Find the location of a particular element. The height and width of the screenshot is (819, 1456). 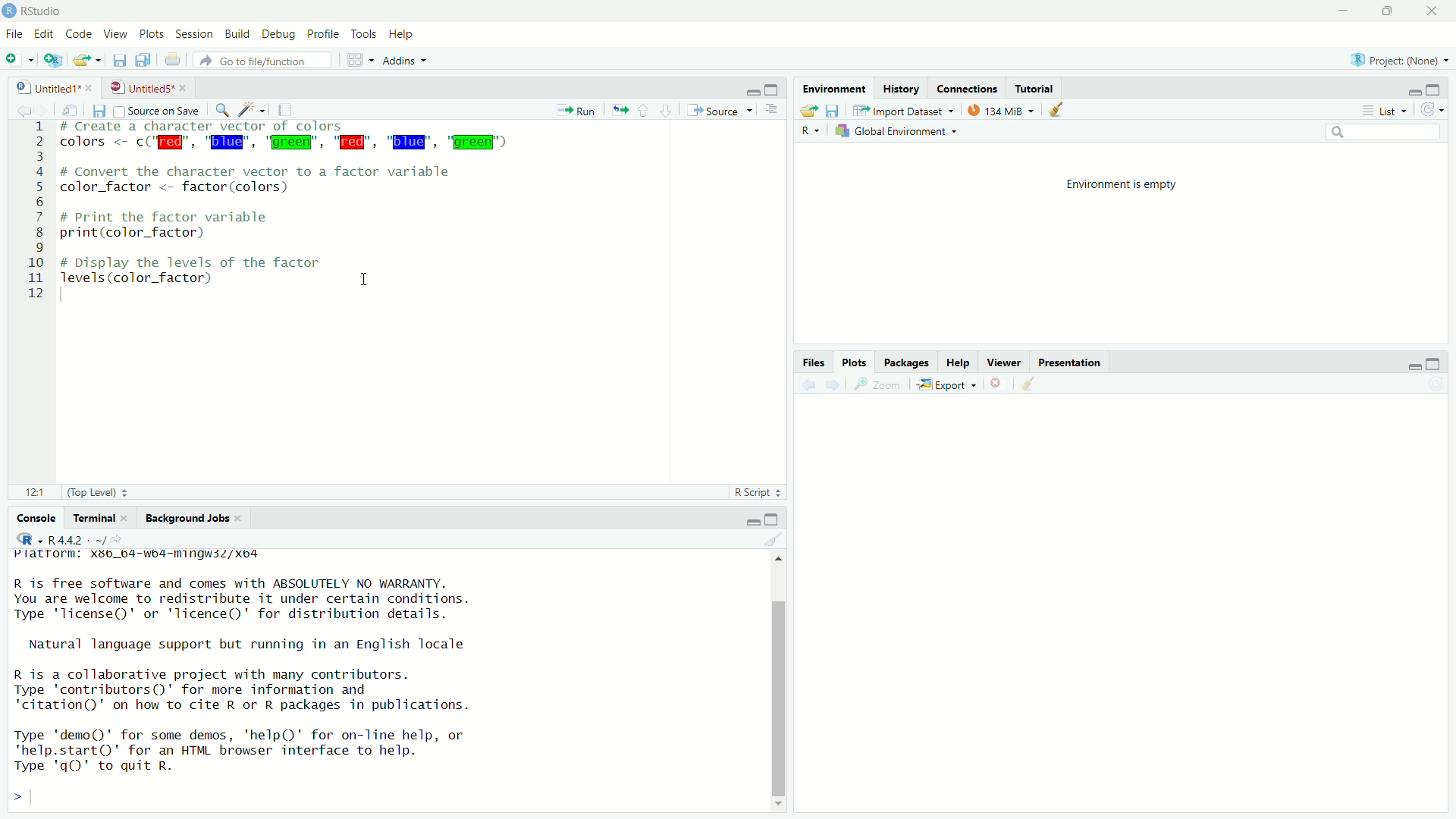

project: (none) is located at coordinates (1403, 61).